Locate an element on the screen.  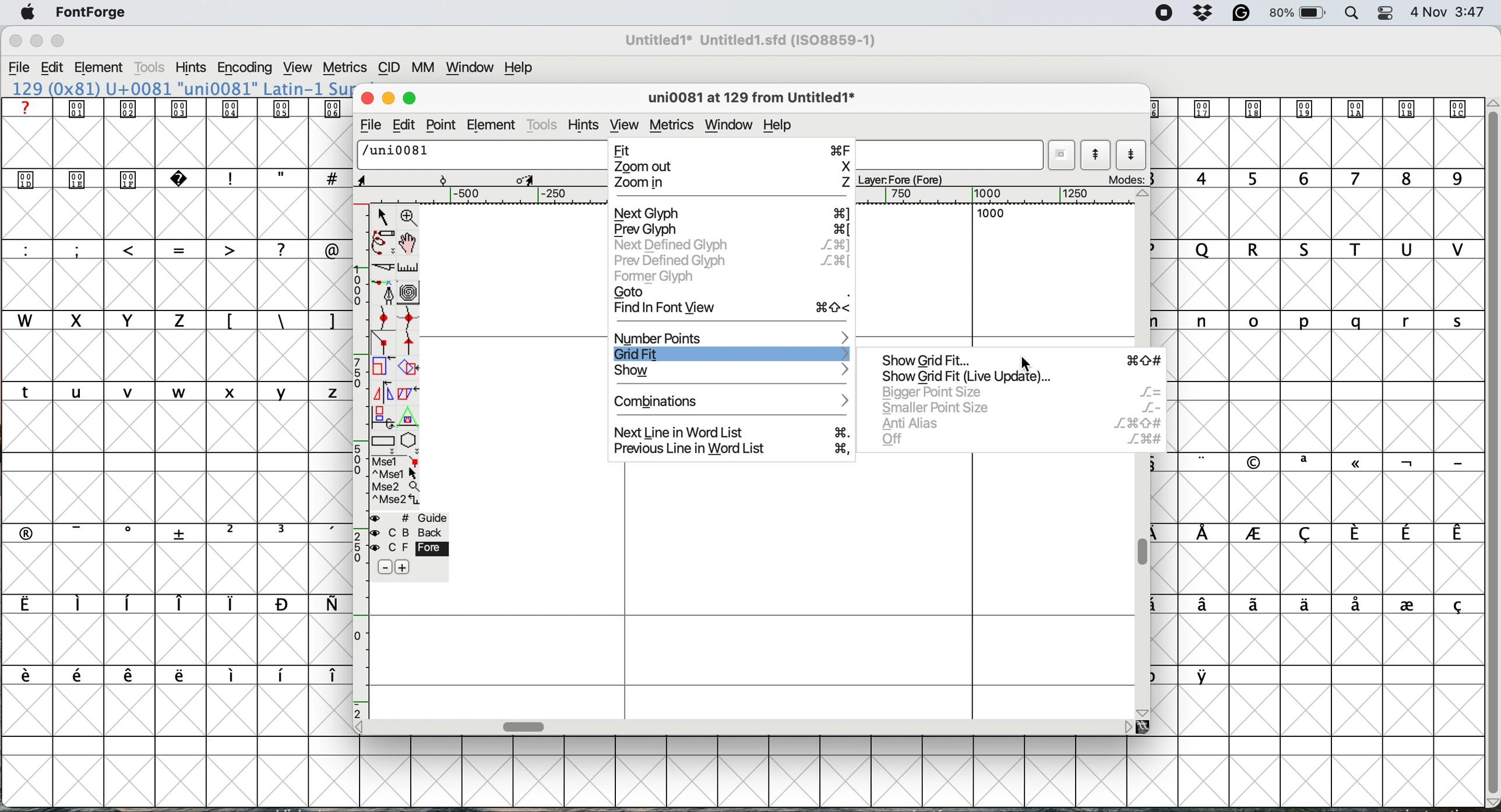
Screen Recording Indicator is located at coordinates (1164, 13).